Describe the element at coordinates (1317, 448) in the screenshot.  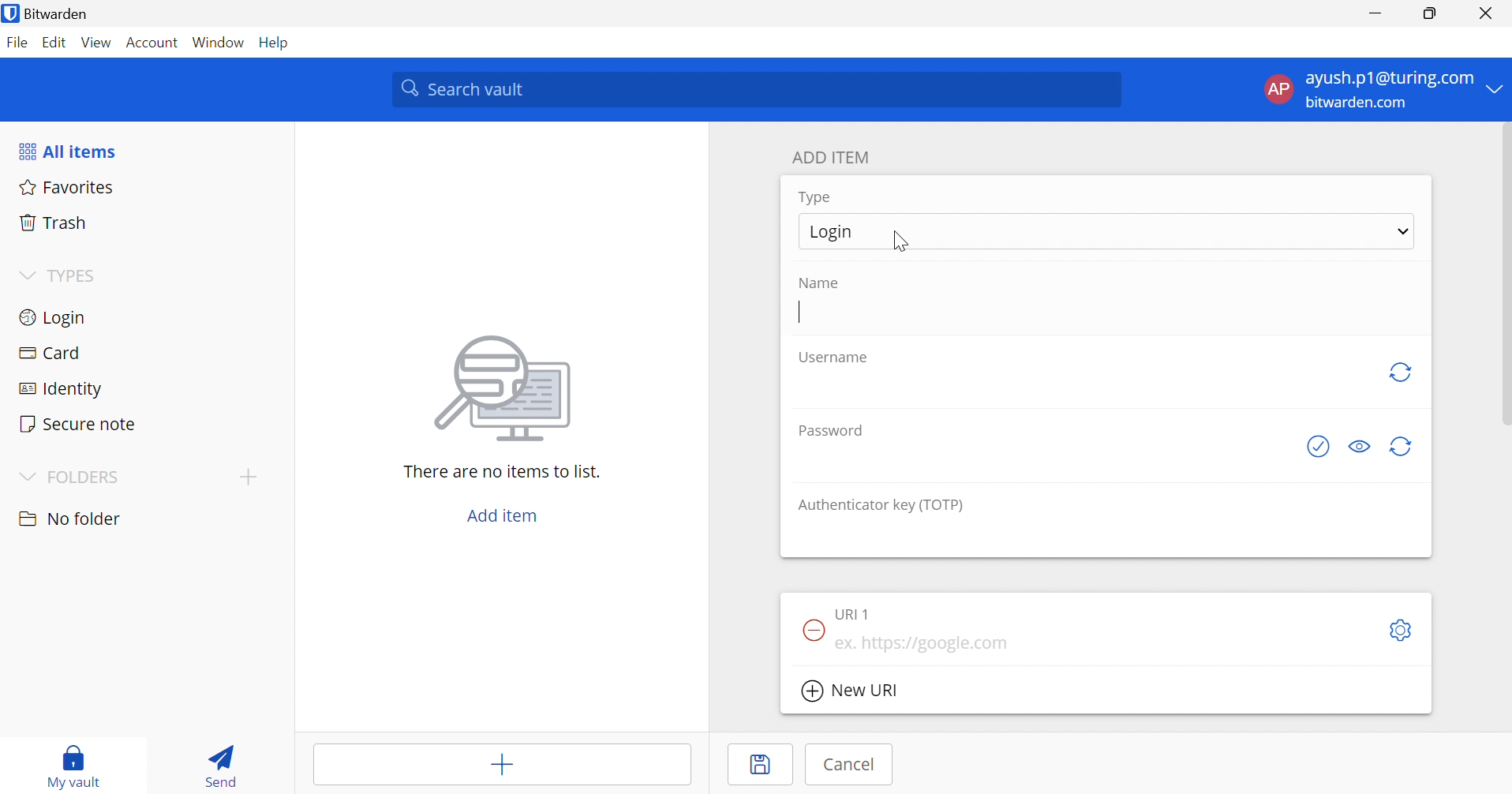
I see `Check if password has been exposed` at that location.